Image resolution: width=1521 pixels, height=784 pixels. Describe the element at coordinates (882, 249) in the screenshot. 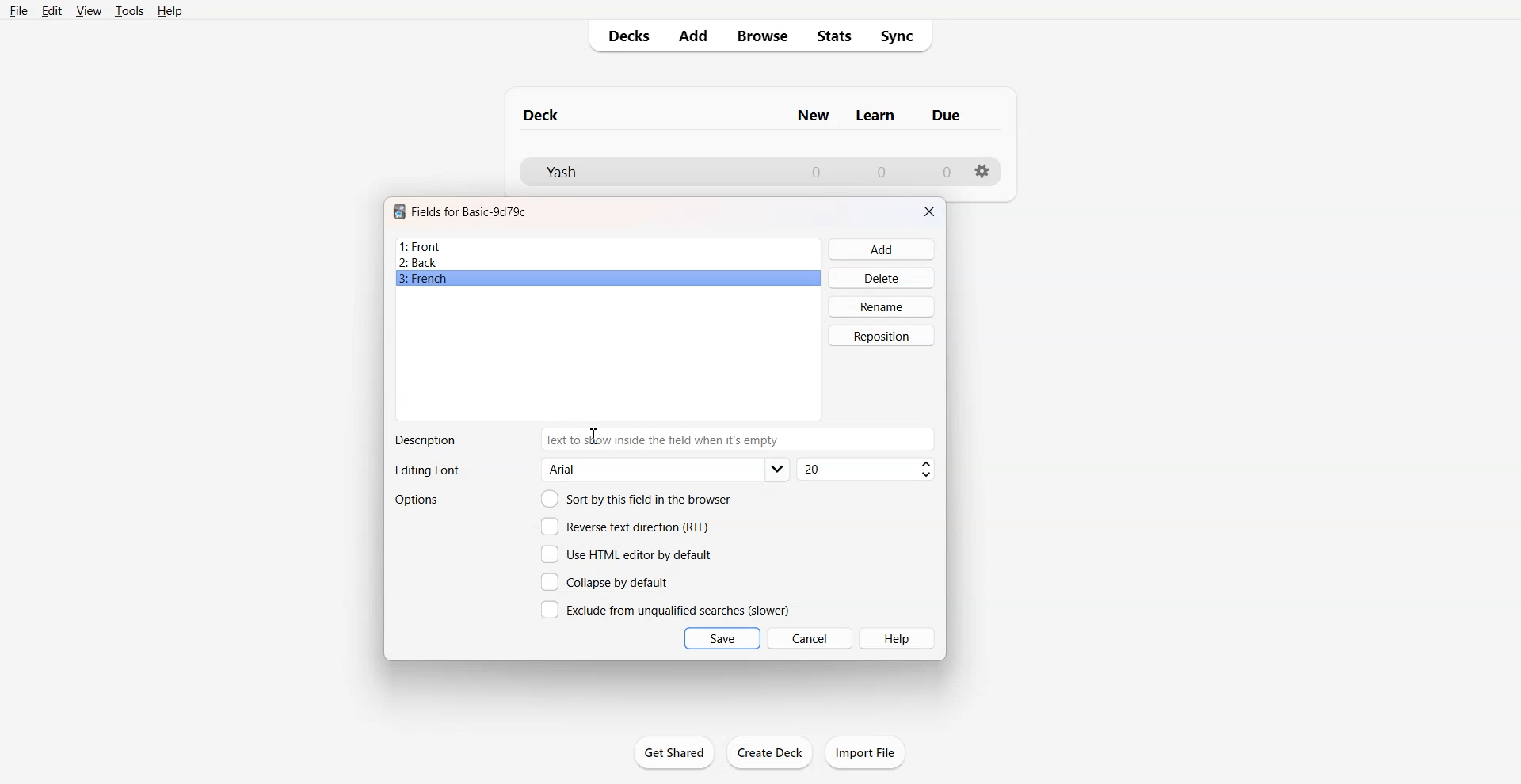

I see `Add` at that location.